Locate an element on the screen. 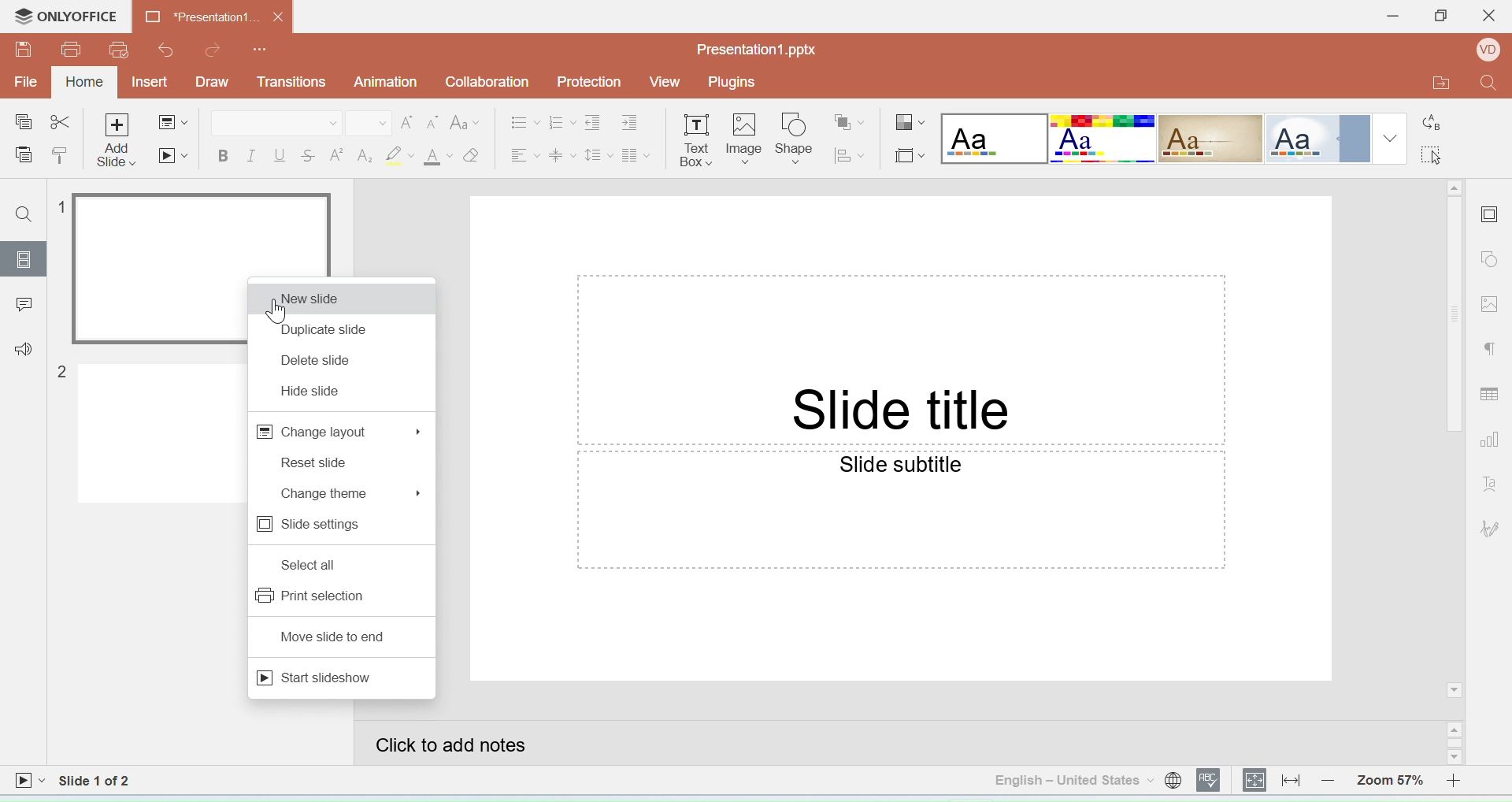 The width and height of the screenshot is (1512, 802). Scroll bar is located at coordinates (1457, 744).